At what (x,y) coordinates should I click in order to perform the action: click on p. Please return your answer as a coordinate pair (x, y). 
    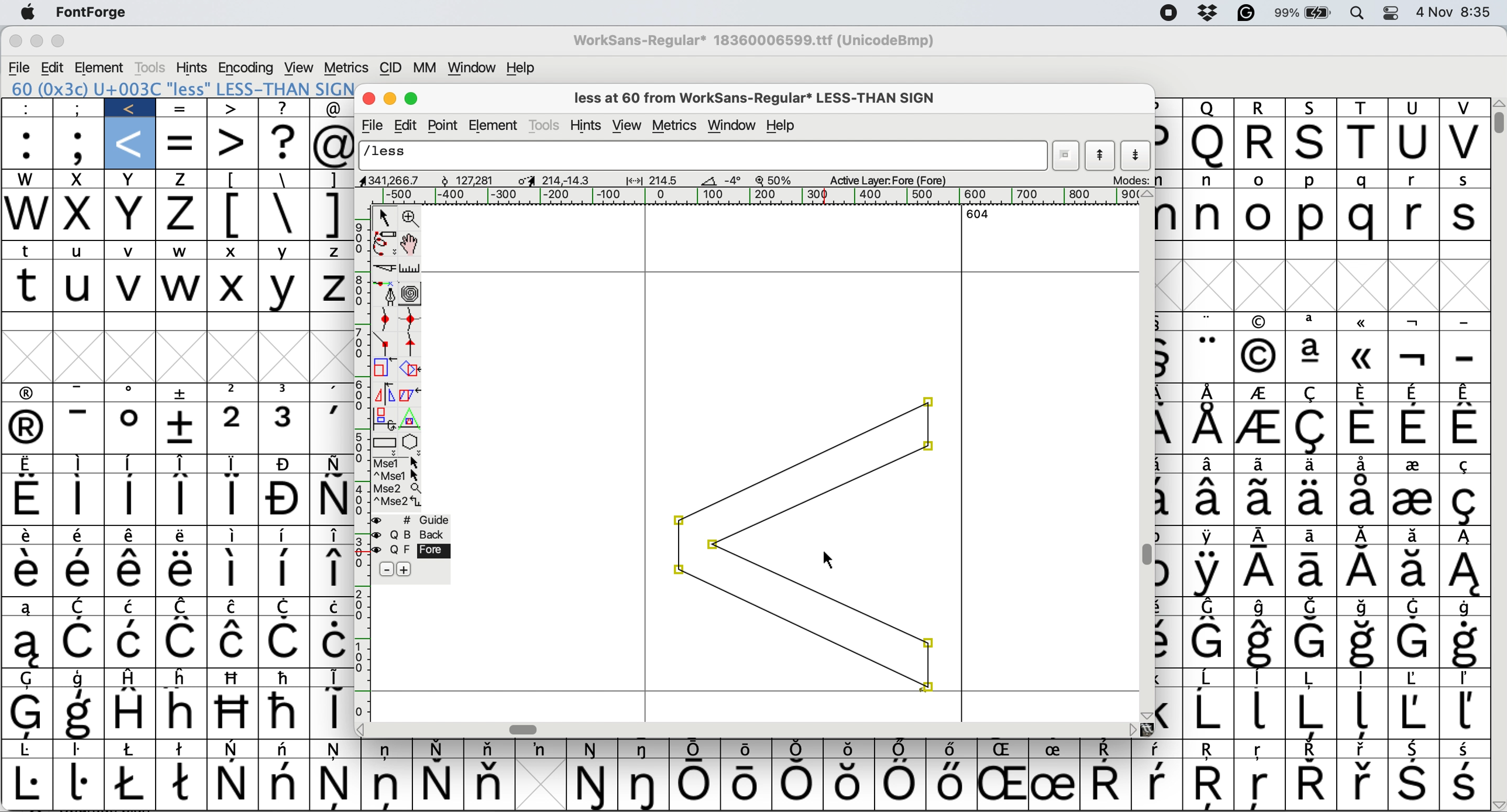
    Looking at the image, I should click on (1169, 144).